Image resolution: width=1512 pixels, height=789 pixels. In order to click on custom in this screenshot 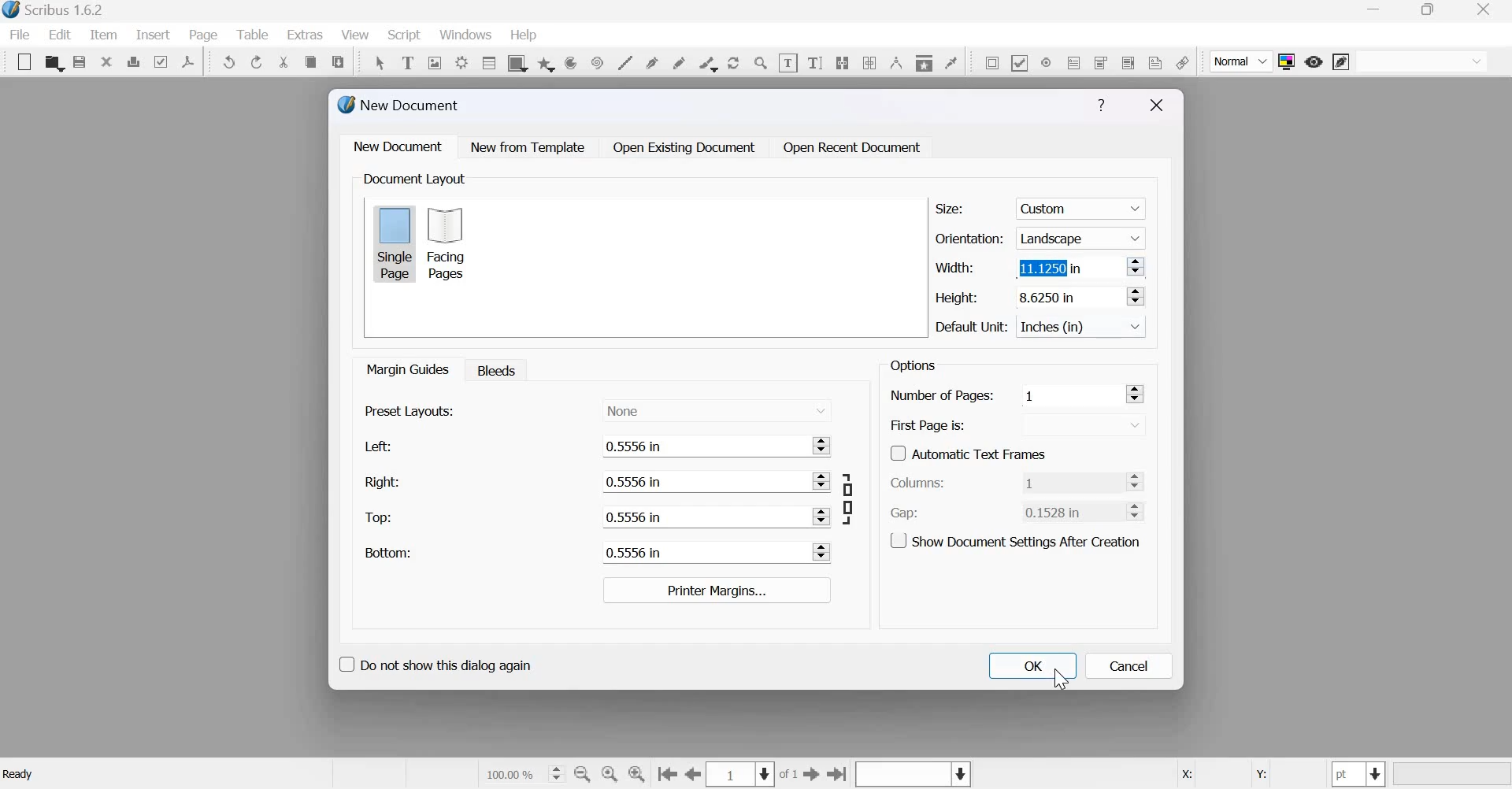, I will do `click(1084, 206)`.